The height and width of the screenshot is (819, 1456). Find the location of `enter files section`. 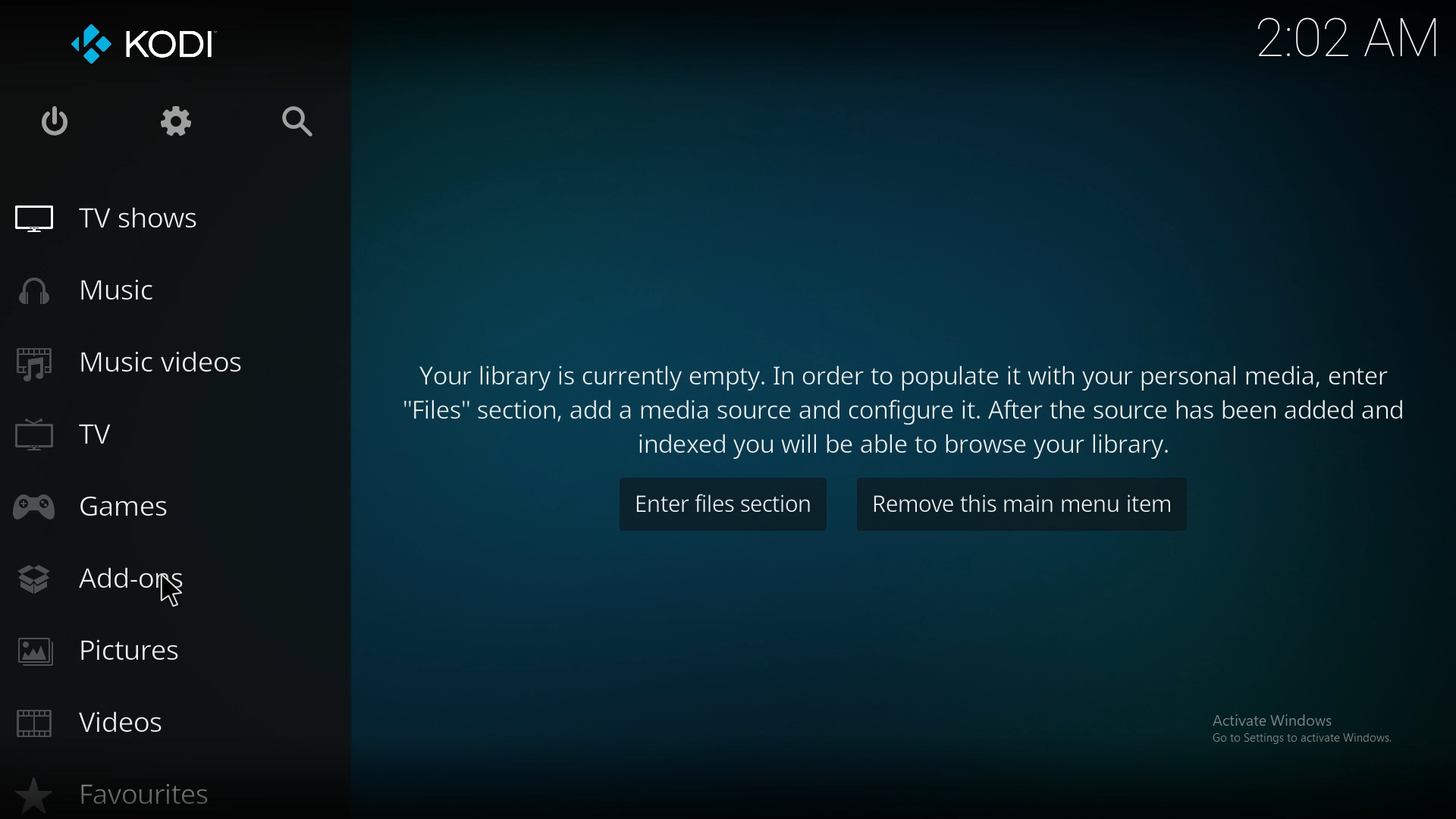

enter files section is located at coordinates (719, 504).